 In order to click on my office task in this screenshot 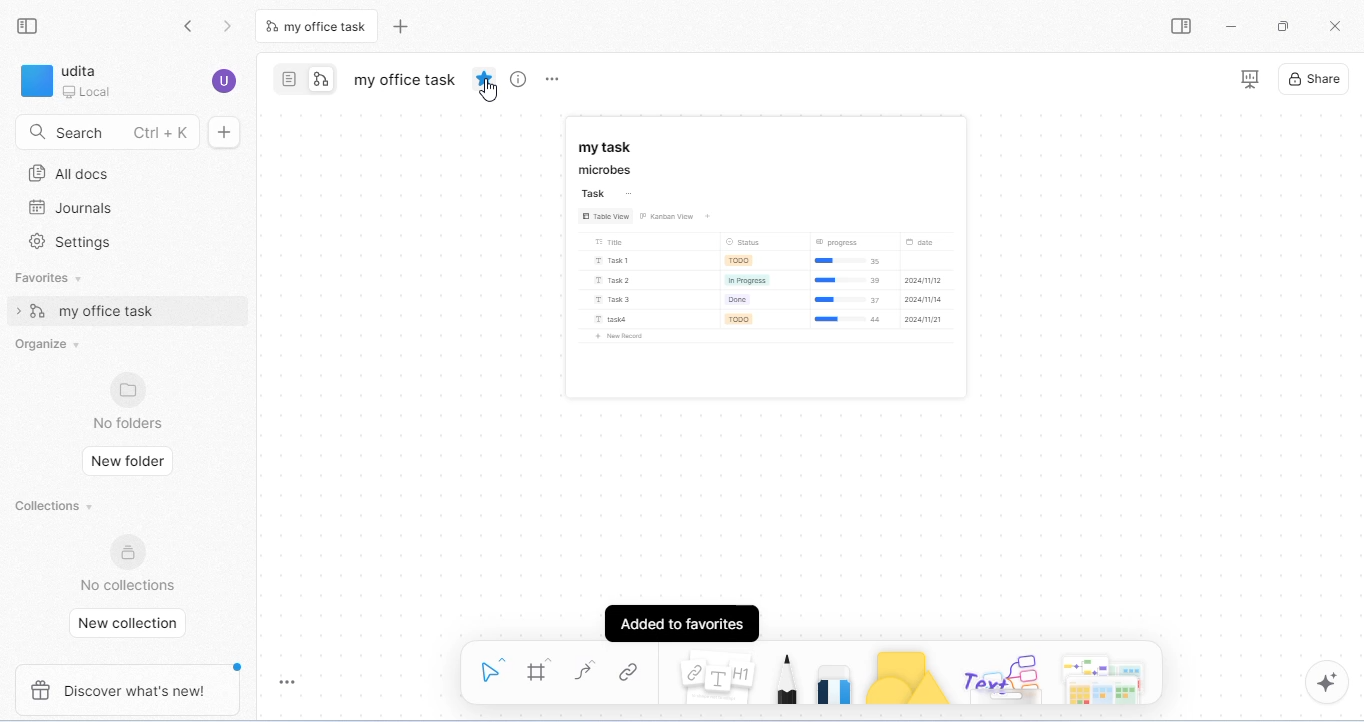, I will do `click(407, 79)`.